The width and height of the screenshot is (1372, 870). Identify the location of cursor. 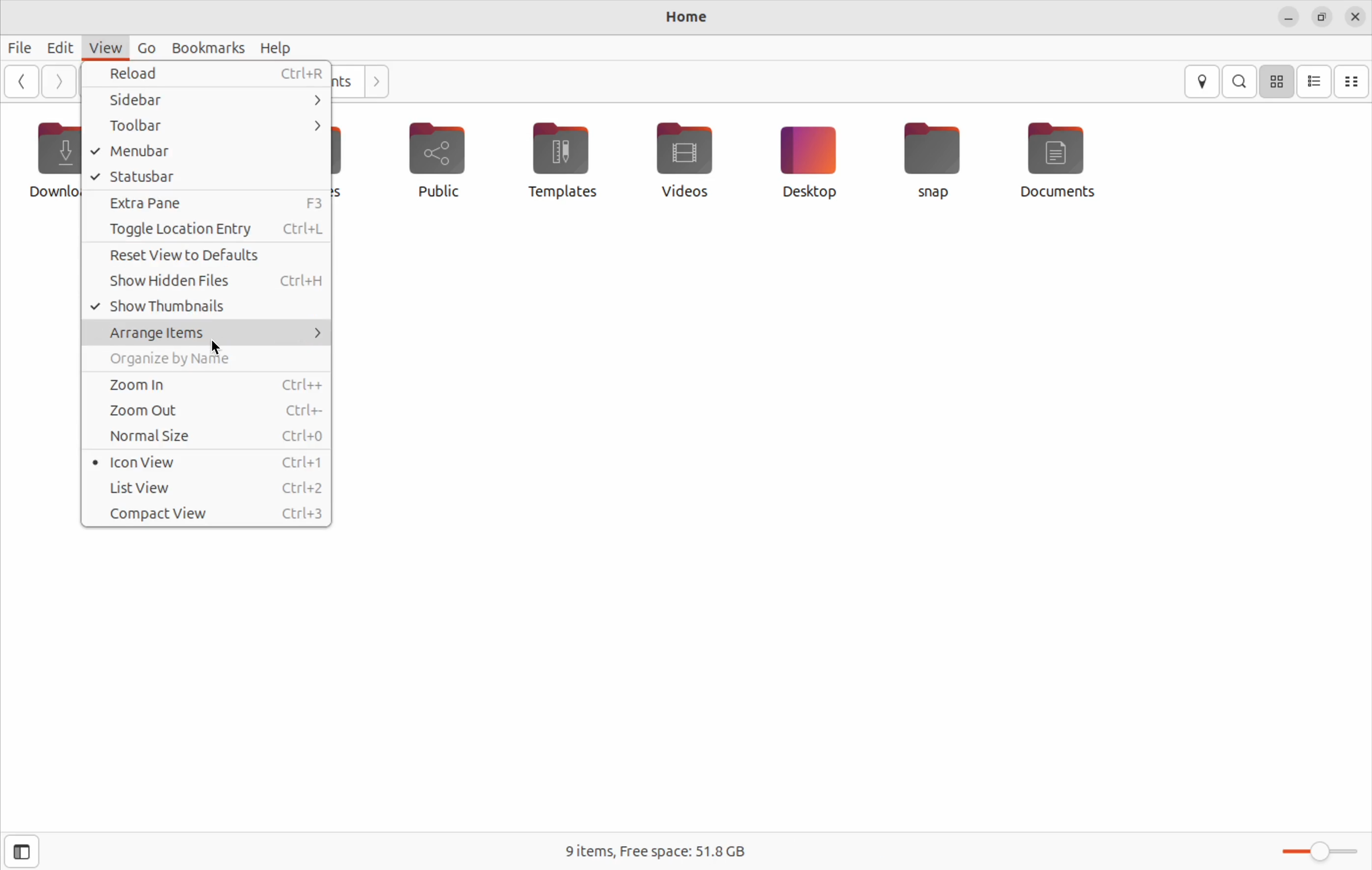
(219, 347).